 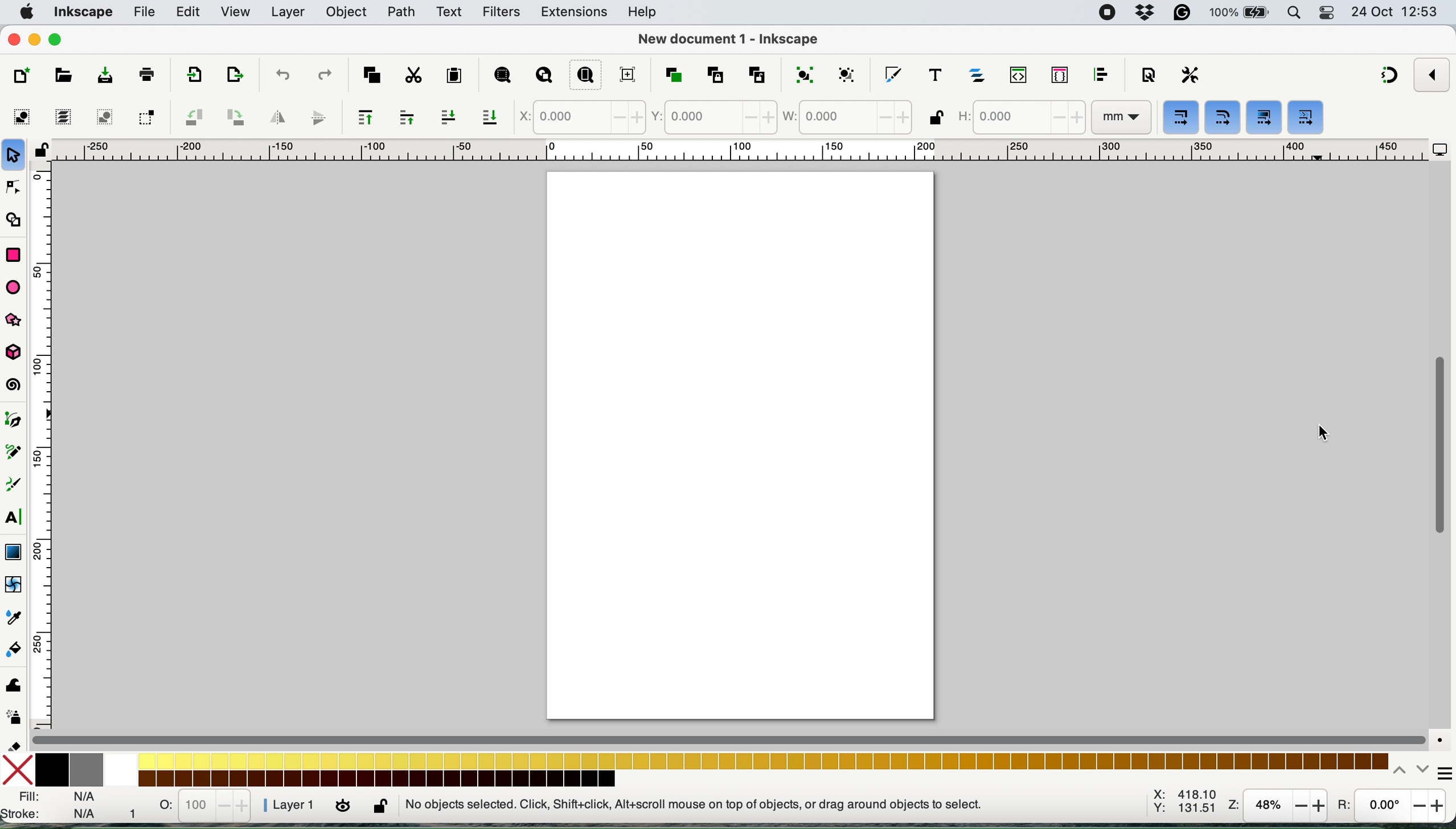 I want to click on screen recorder, so click(x=1104, y=13).